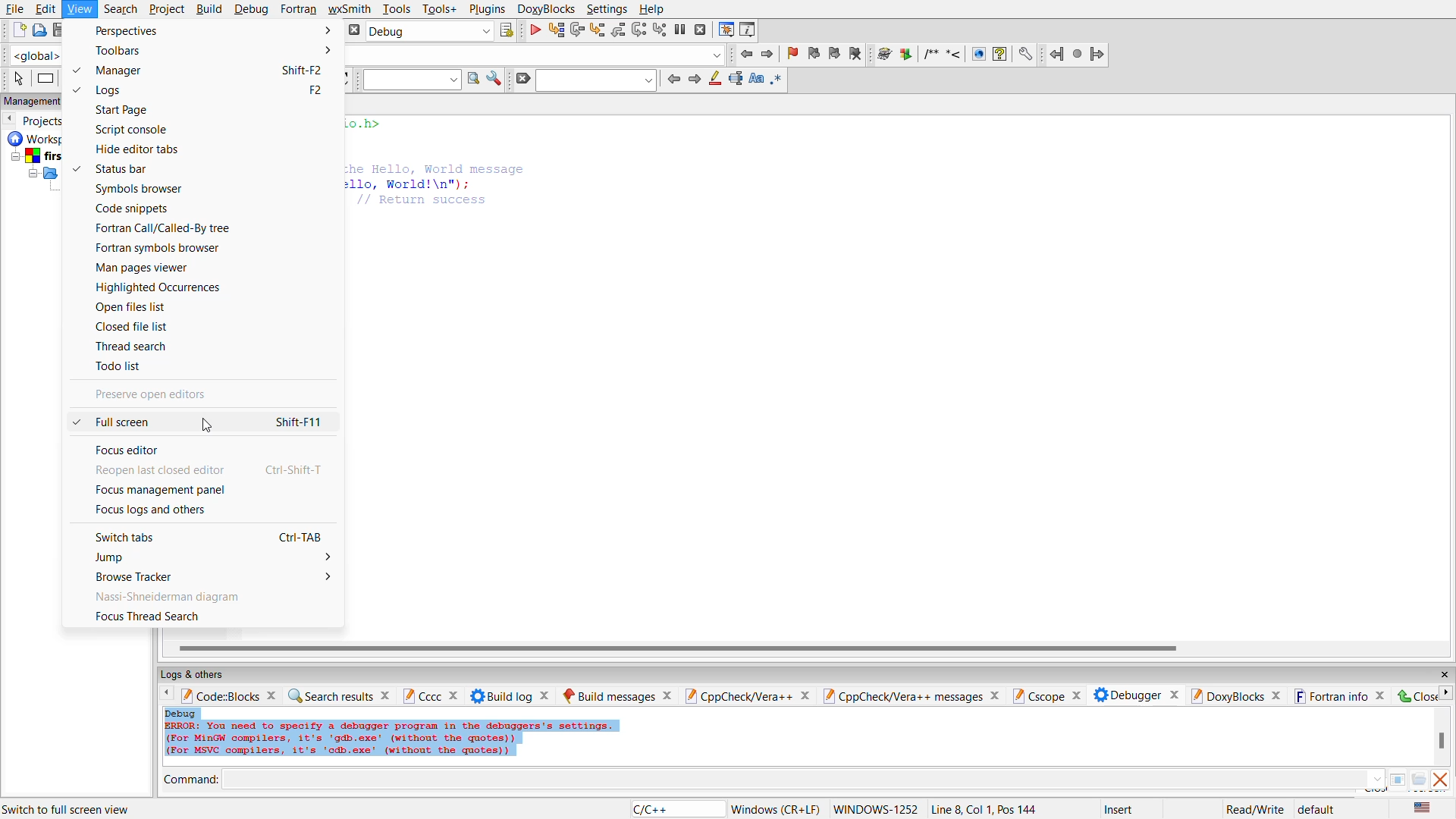 The image size is (1456, 819). I want to click on next instruction, so click(639, 32).